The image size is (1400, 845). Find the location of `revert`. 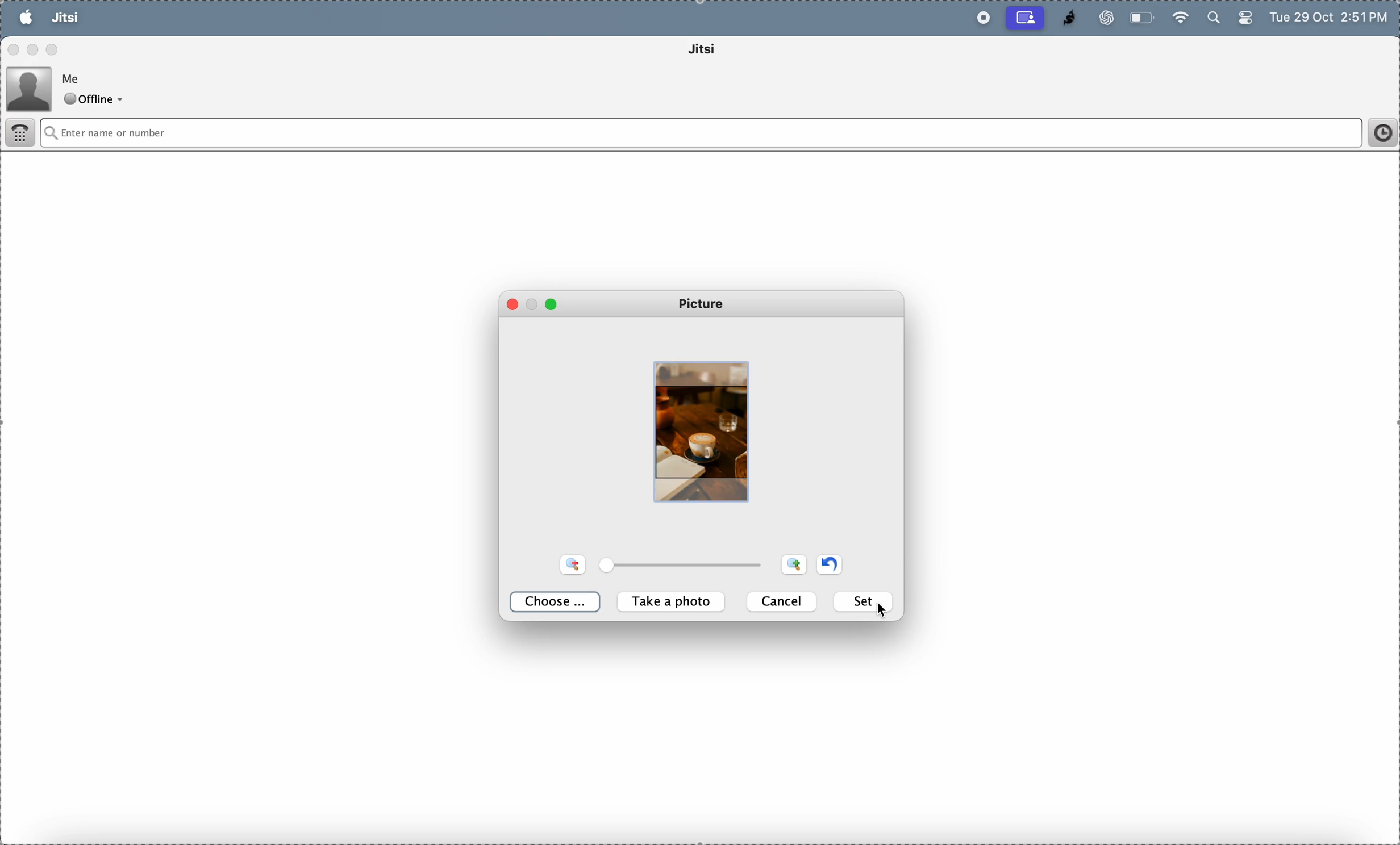

revert is located at coordinates (829, 563).